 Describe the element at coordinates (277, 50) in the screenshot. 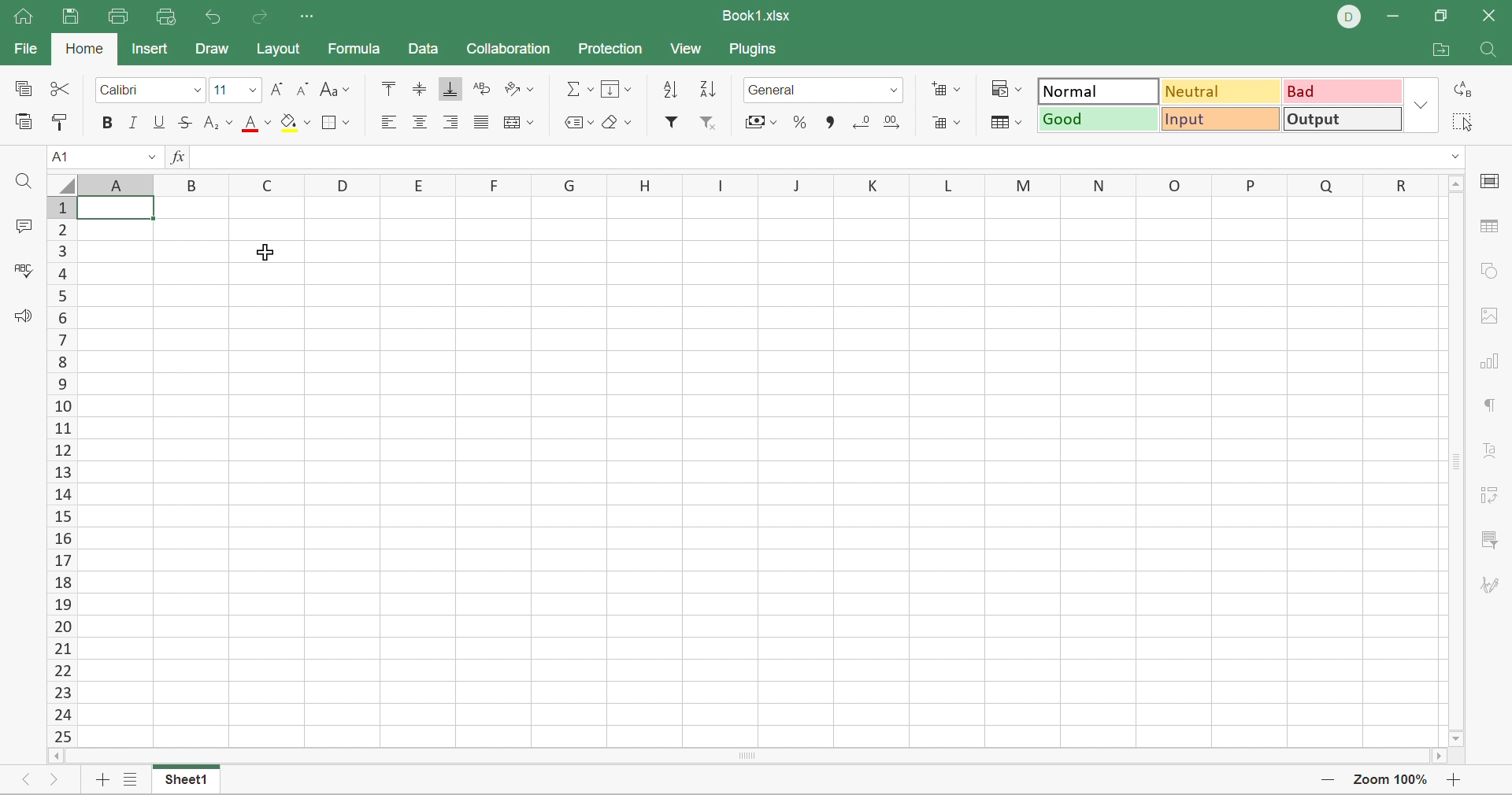

I see `Layout` at that location.